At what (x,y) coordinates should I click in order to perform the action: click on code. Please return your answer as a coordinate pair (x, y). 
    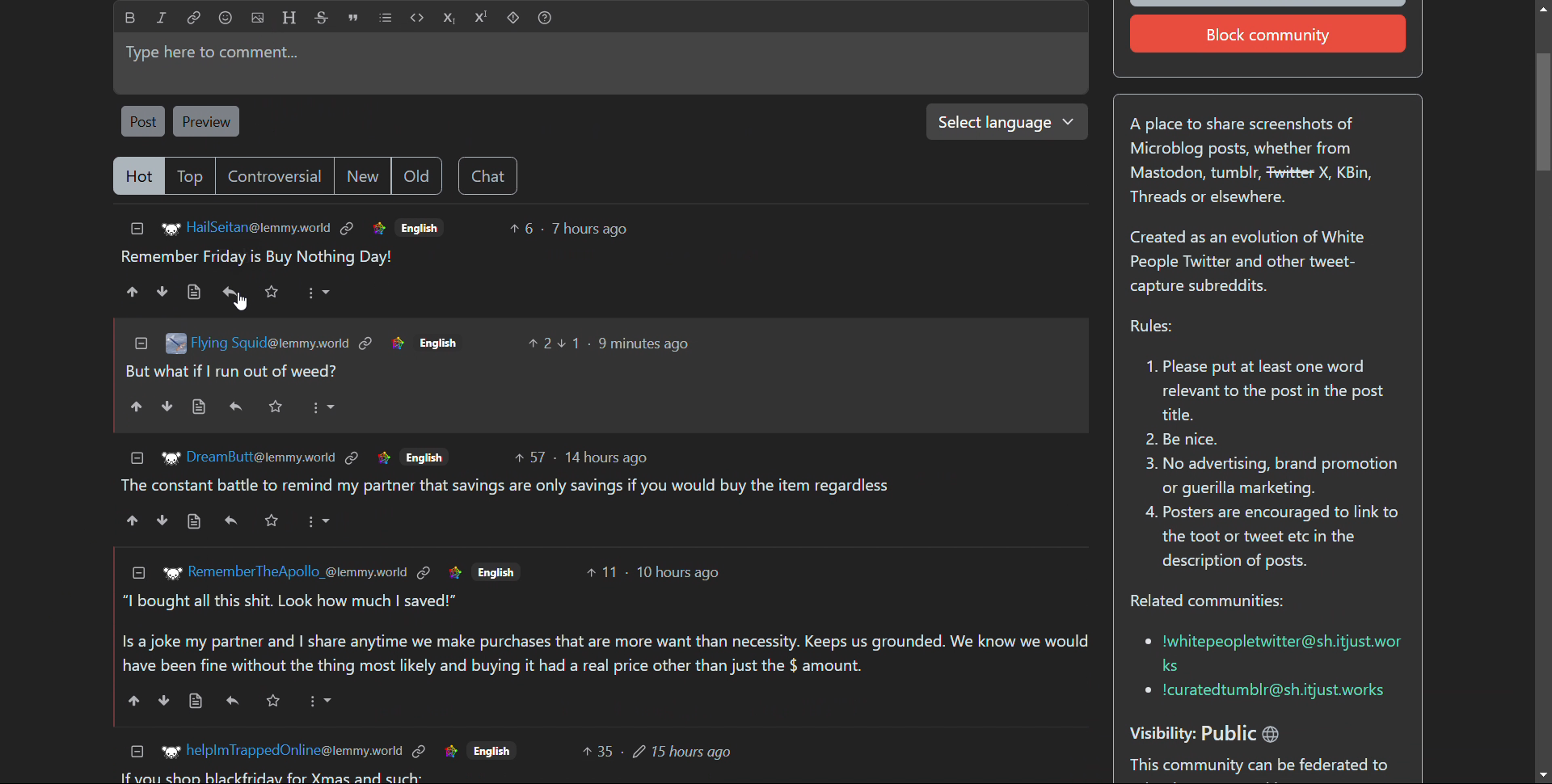
    Looking at the image, I should click on (418, 18).